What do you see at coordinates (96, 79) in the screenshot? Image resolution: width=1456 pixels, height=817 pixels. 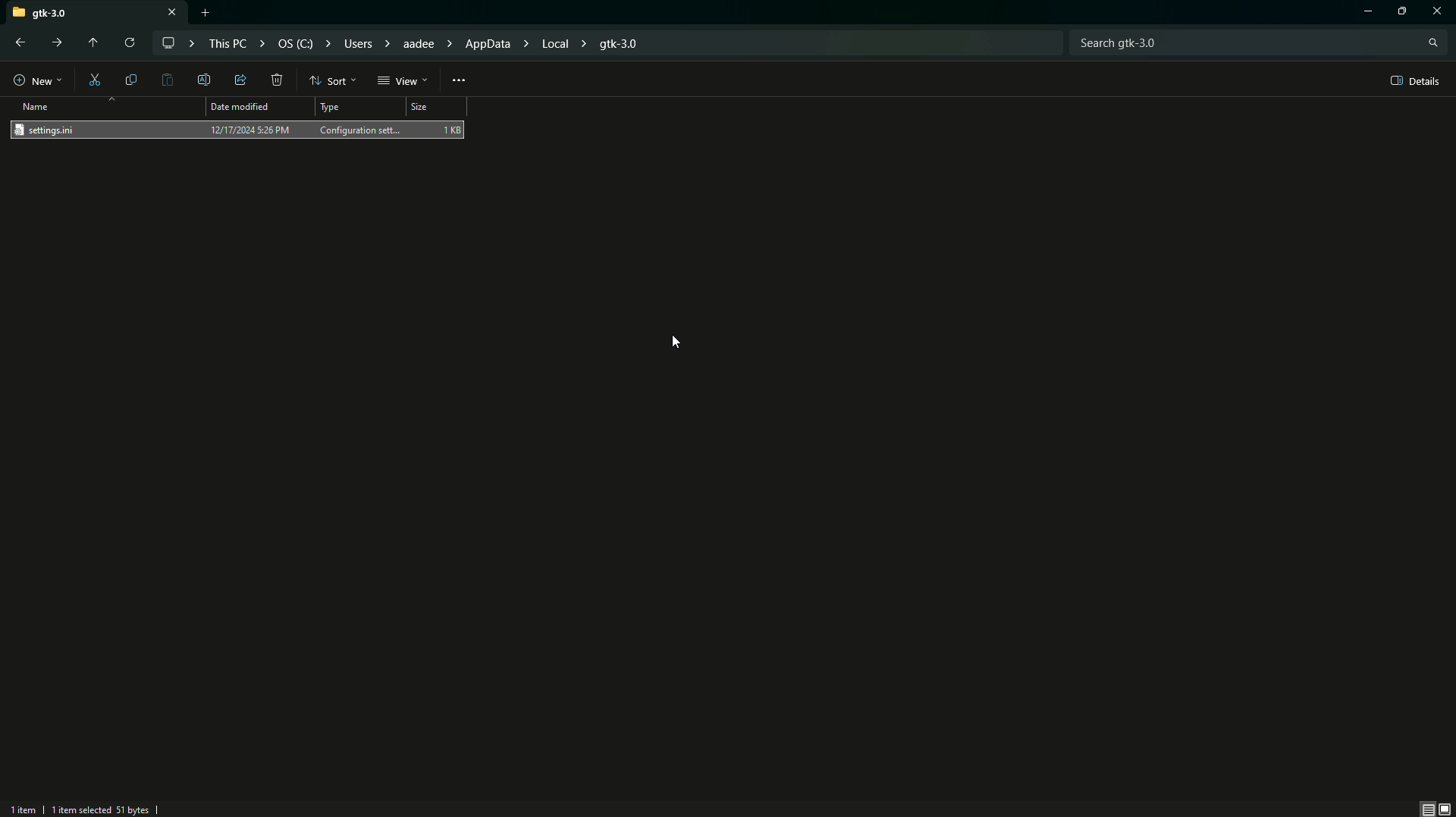 I see `Cut` at bounding box center [96, 79].